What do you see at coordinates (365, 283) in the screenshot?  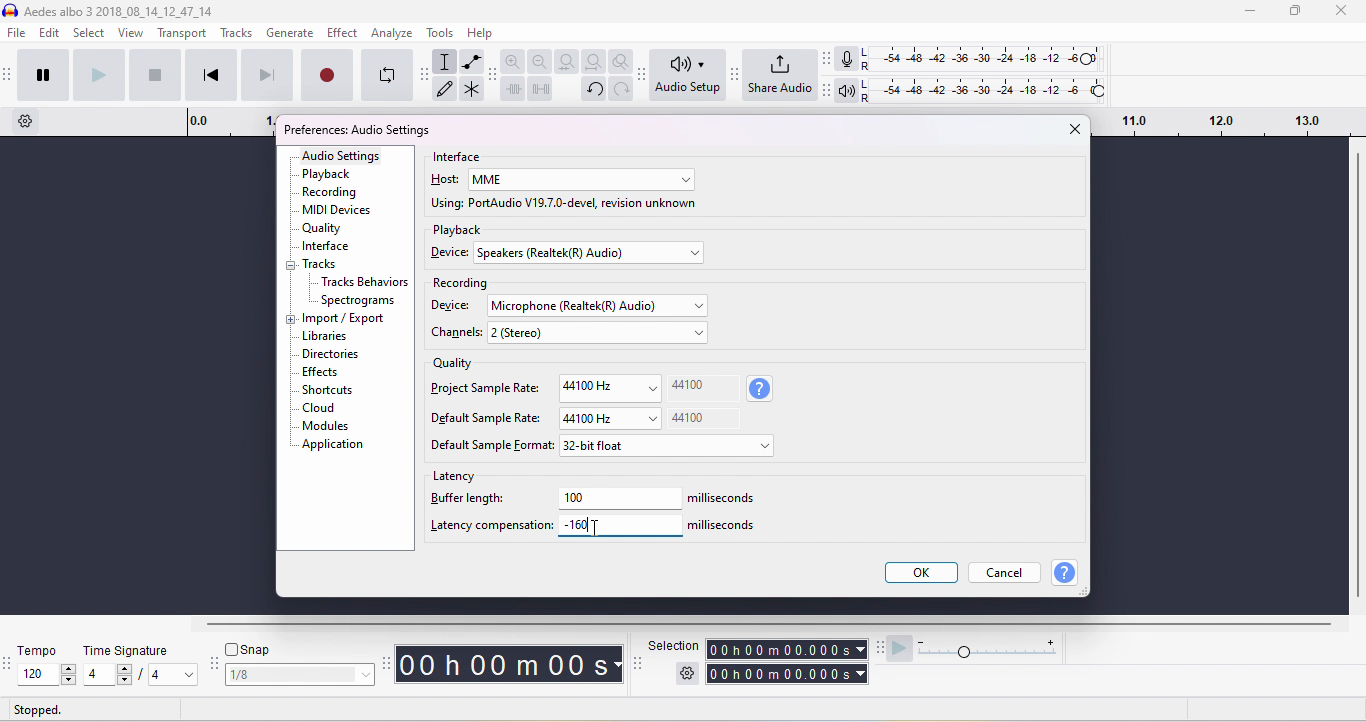 I see `Tracks behavior` at bounding box center [365, 283].